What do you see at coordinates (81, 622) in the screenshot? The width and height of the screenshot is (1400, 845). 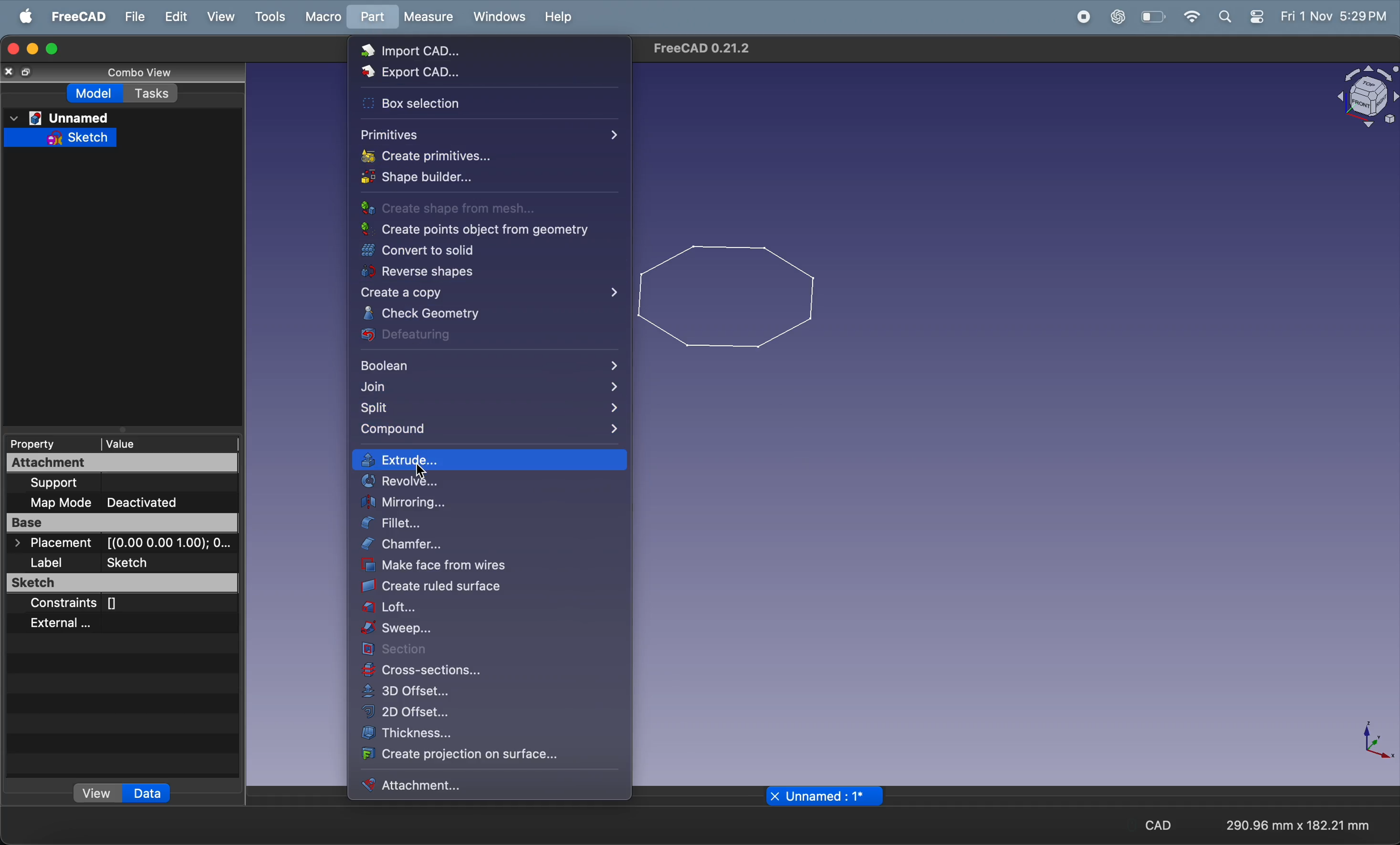 I see `external` at bounding box center [81, 622].